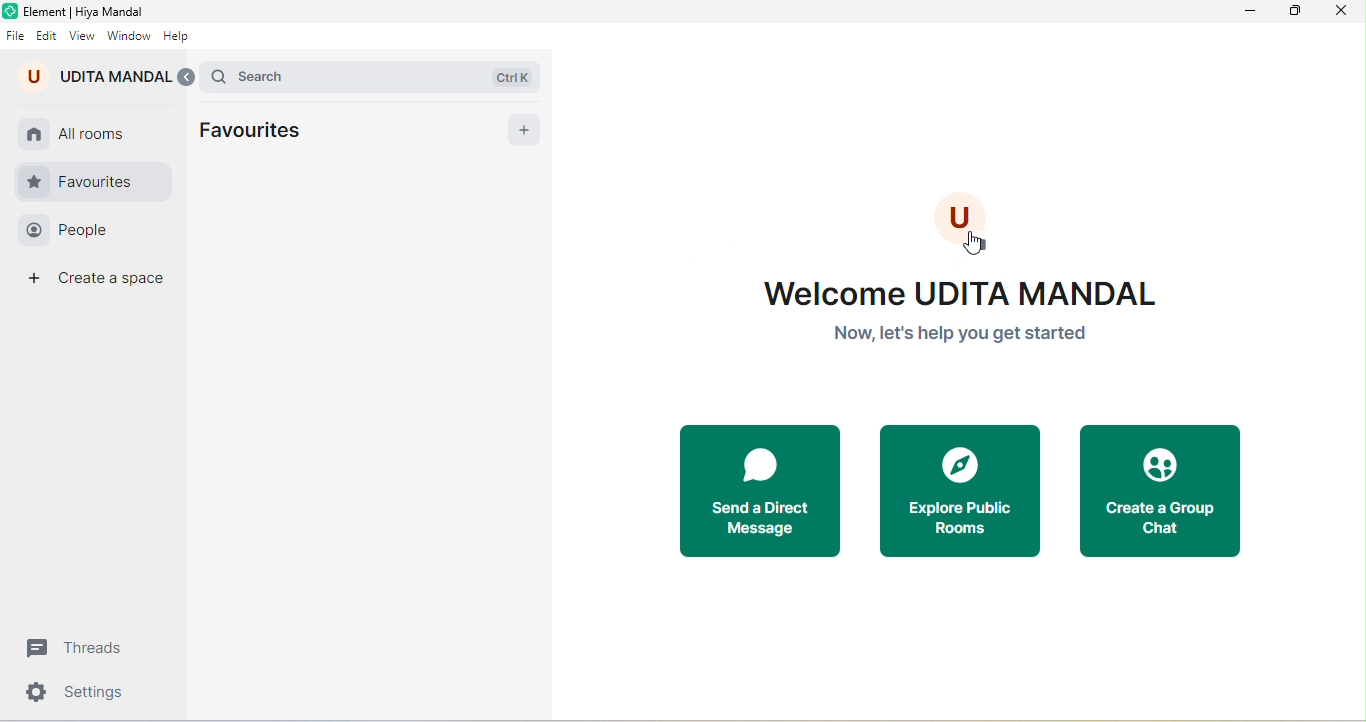  What do you see at coordinates (79, 695) in the screenshot?
I see `seeting` at bounding box center [79, 695].